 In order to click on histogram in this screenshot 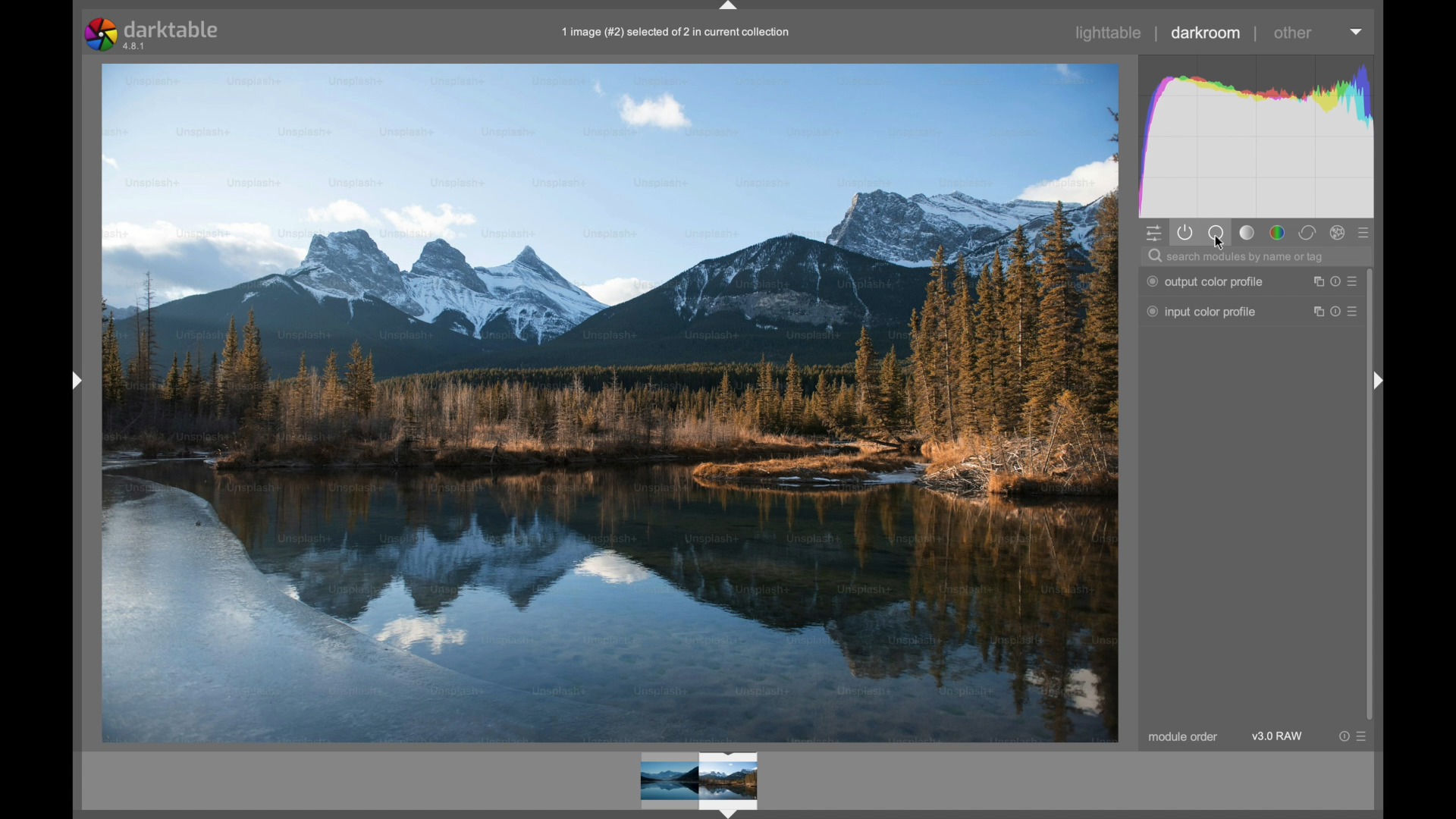, I will do `click(1255, 134)`.